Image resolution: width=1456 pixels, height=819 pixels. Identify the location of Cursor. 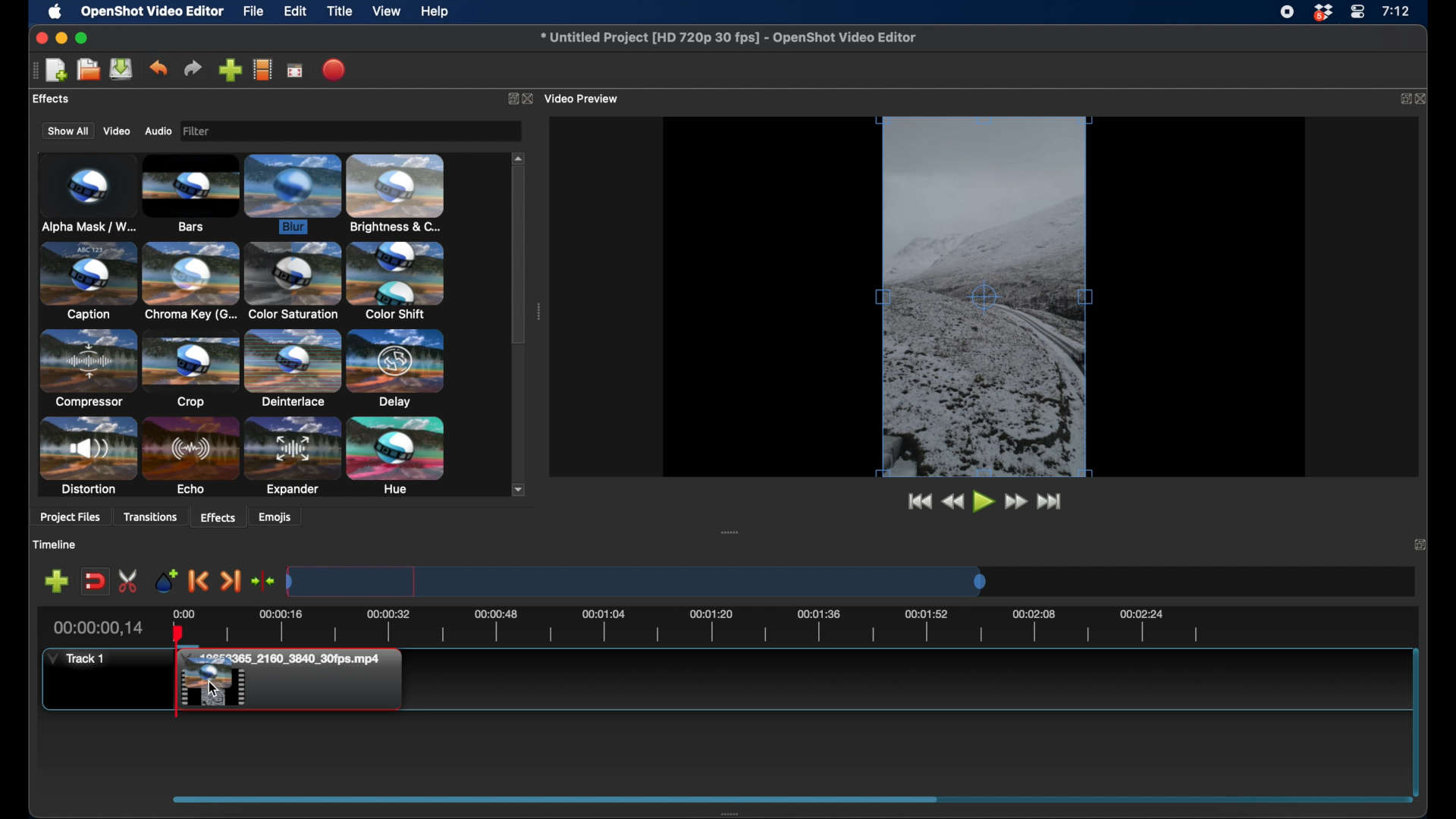
(214, 689).